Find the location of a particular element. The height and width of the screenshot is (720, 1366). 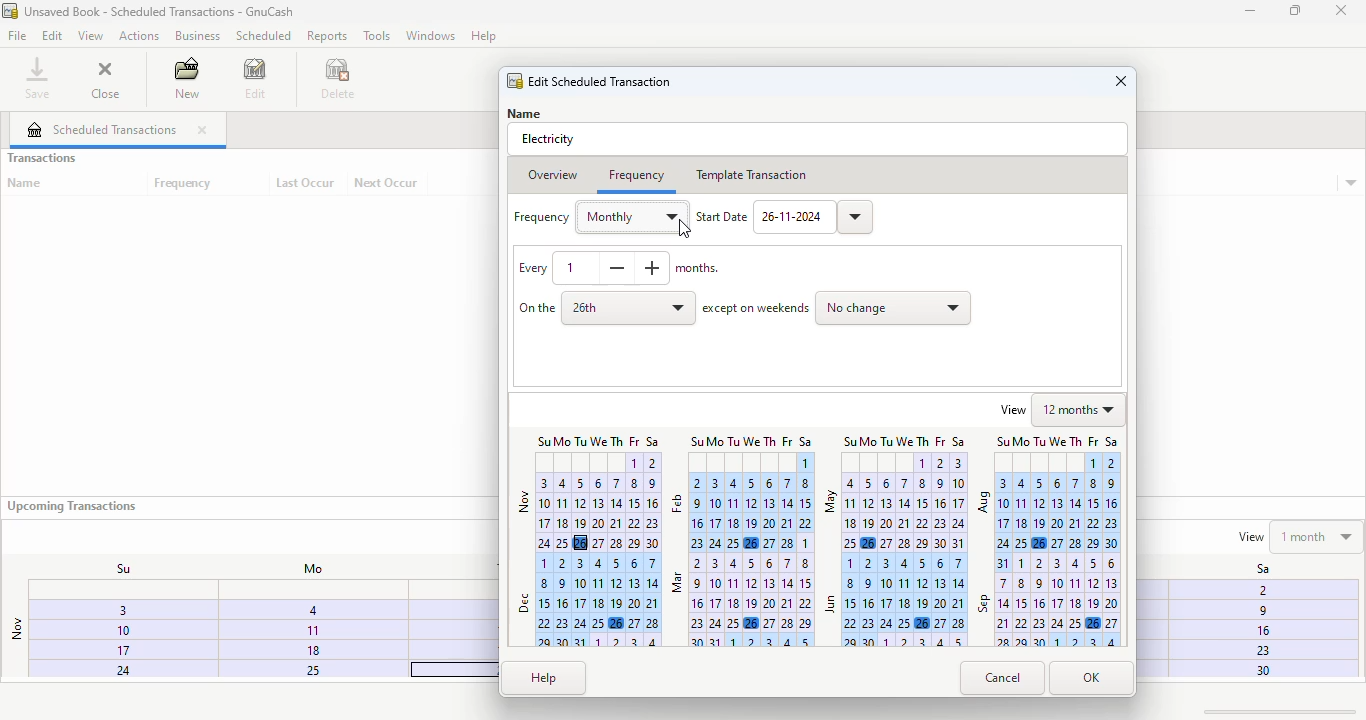

reports is located at coordinates (328, 35).